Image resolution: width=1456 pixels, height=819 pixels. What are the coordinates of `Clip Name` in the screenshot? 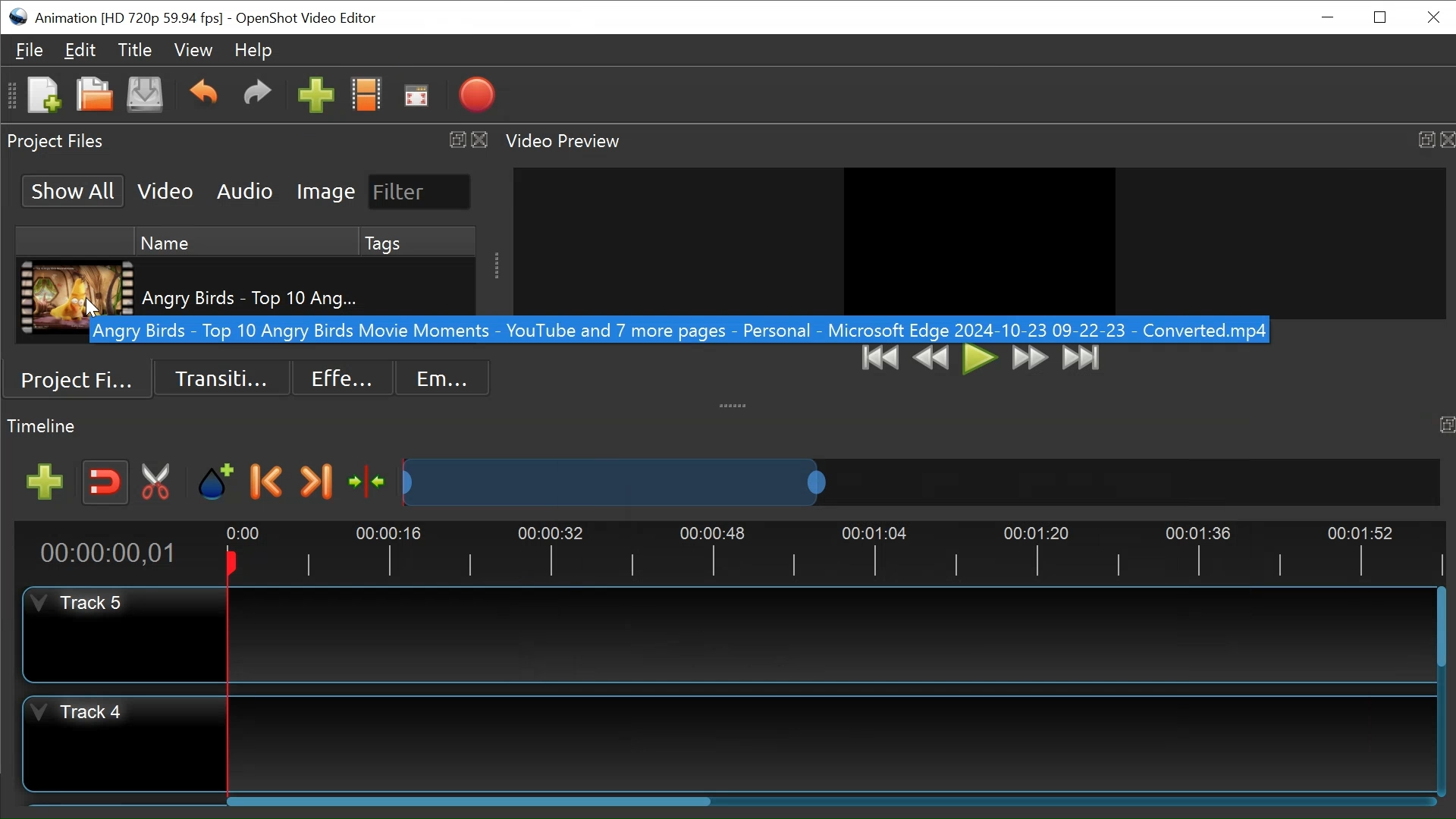 It's located at (249, 286).